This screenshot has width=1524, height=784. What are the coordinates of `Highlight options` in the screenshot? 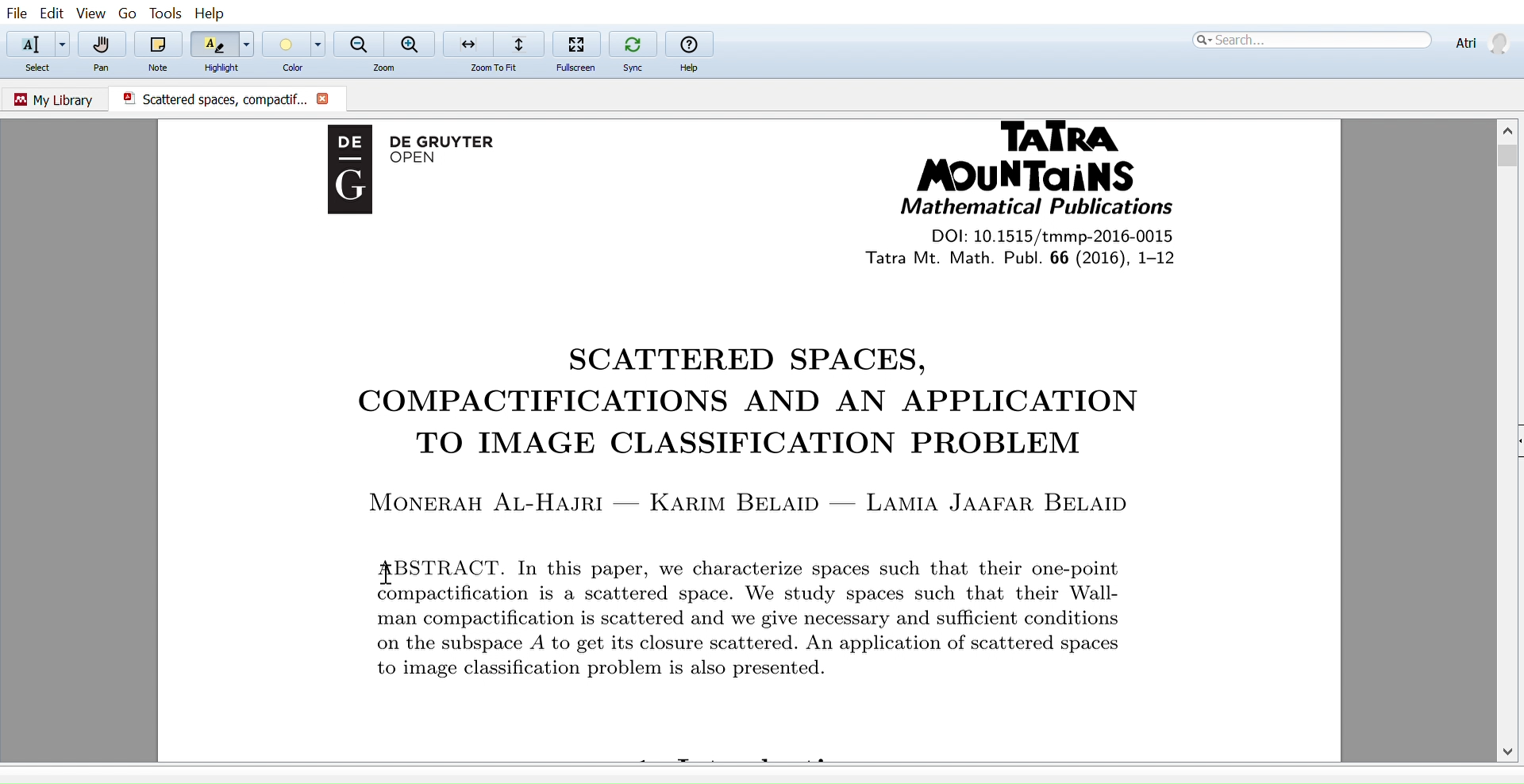 It's located at (250, 44).